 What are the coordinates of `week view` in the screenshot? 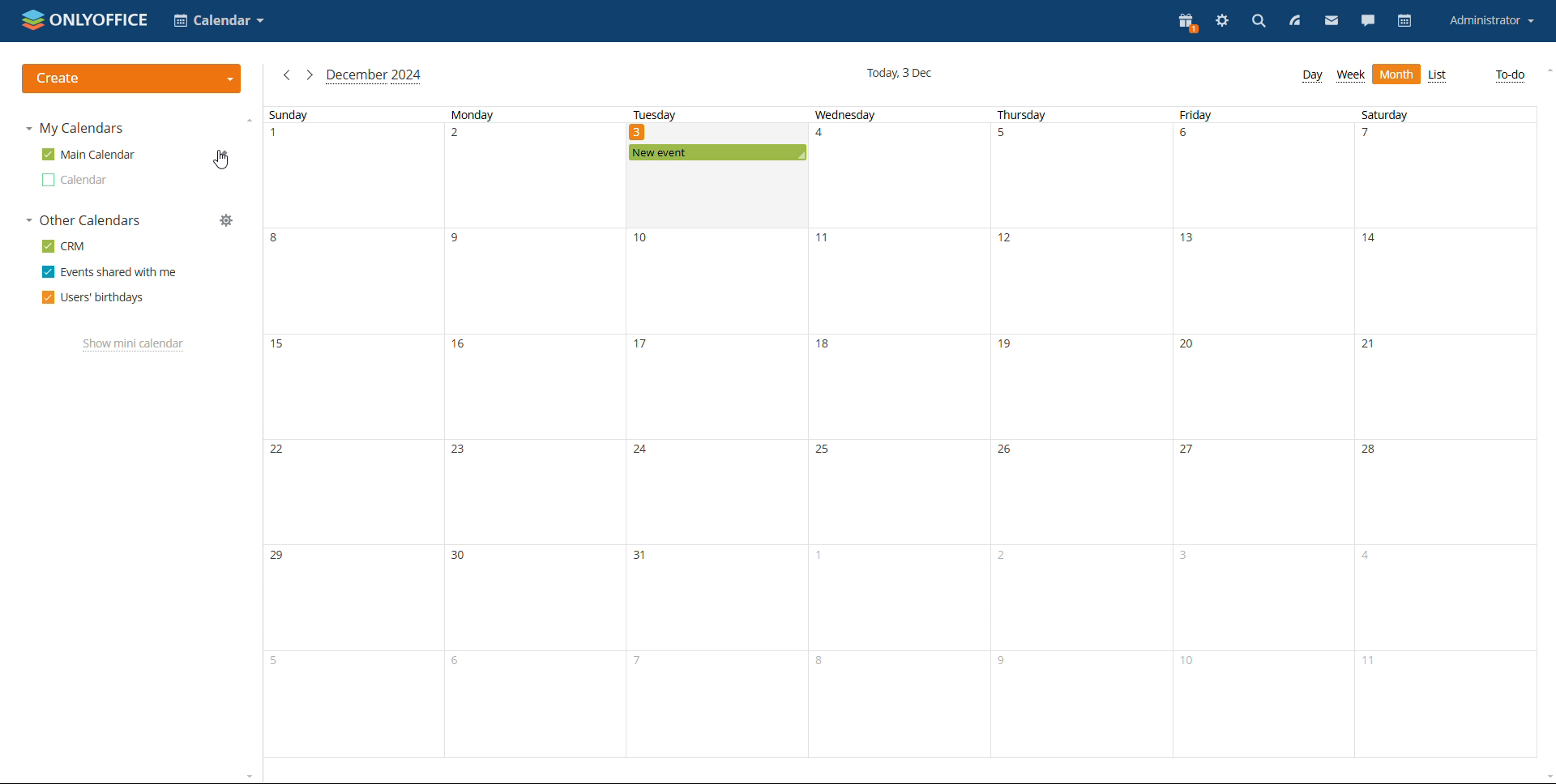 It's located at (1350, 76).